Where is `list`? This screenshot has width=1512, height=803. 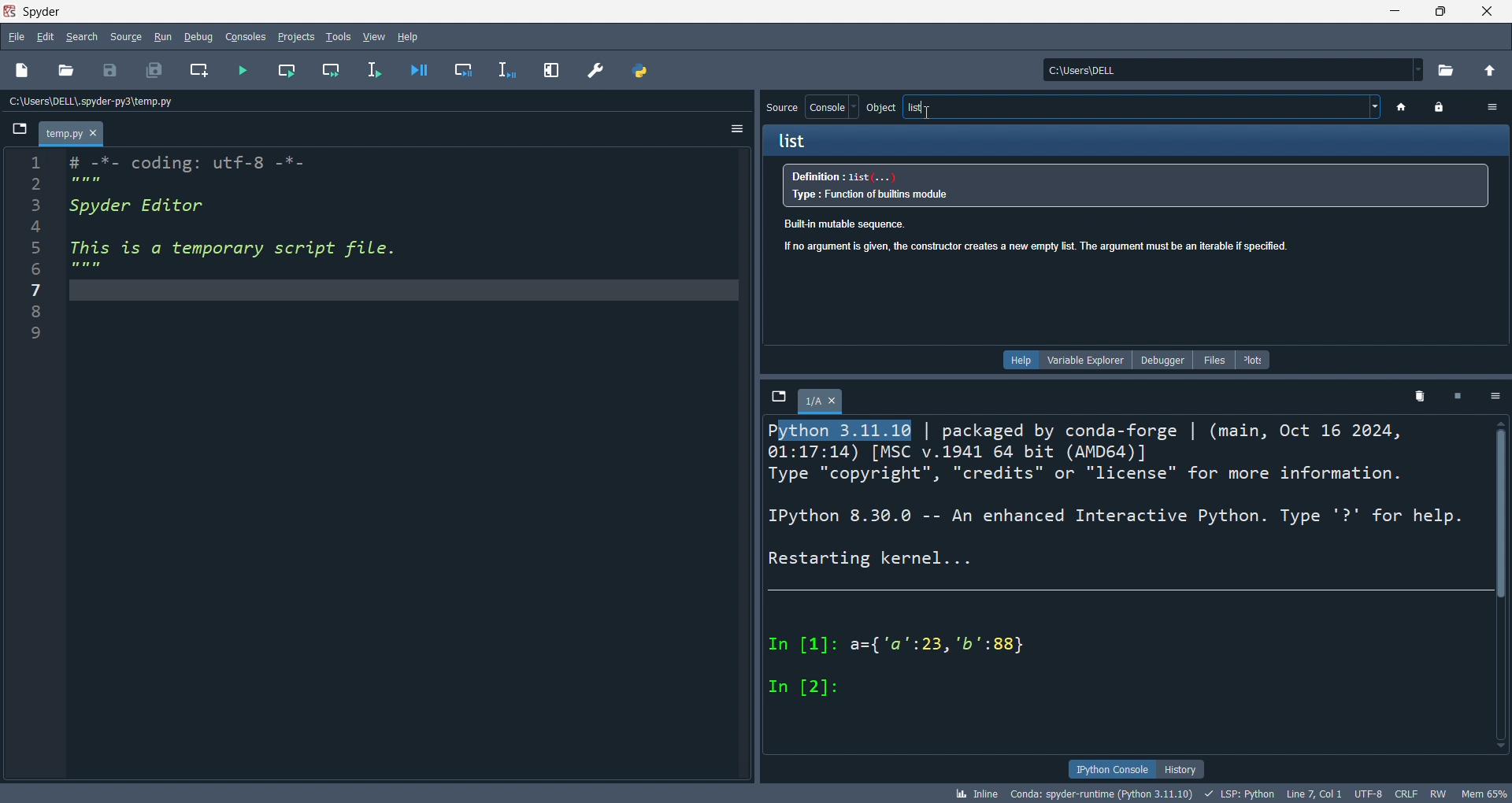
list is located at coordinates (1147, 105).